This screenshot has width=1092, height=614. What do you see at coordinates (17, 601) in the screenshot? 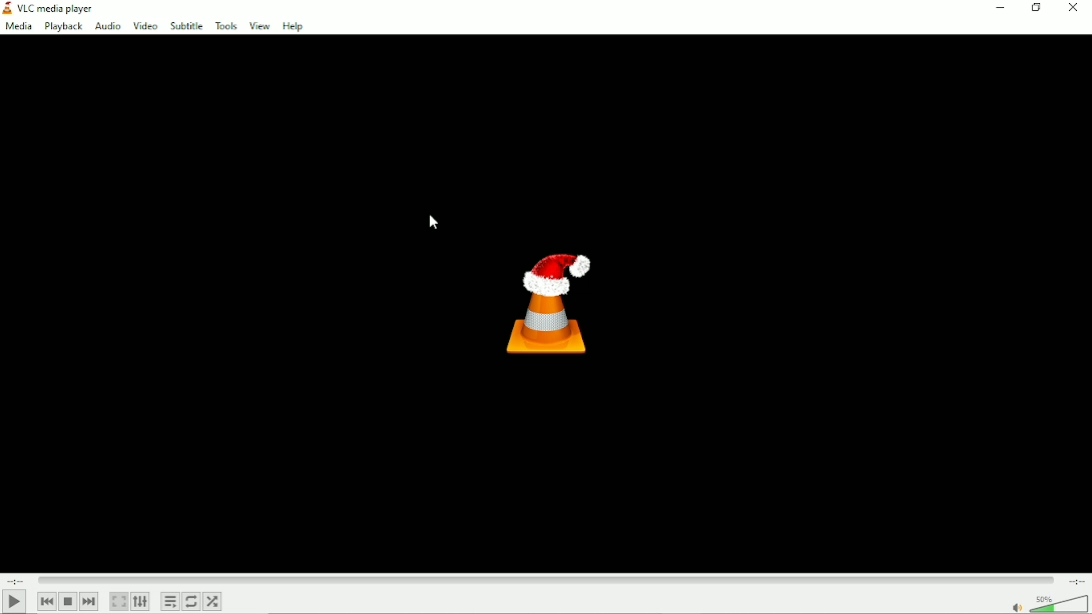
I see `Play` at bounding box center [17, 601].